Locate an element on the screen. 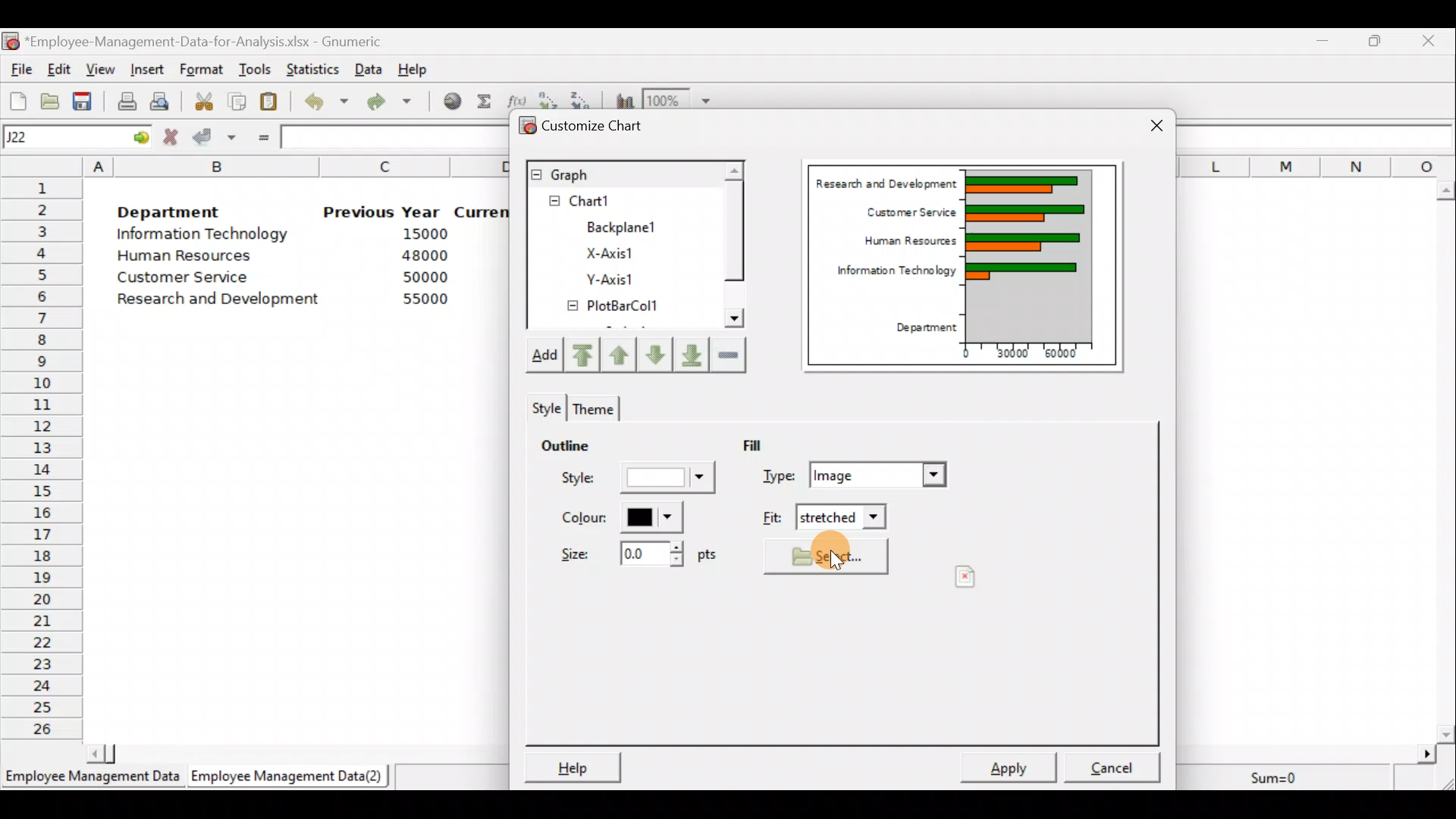 This screenshot has width=1456, height=819. Cell name J22 is located at coordinates (58, 137).